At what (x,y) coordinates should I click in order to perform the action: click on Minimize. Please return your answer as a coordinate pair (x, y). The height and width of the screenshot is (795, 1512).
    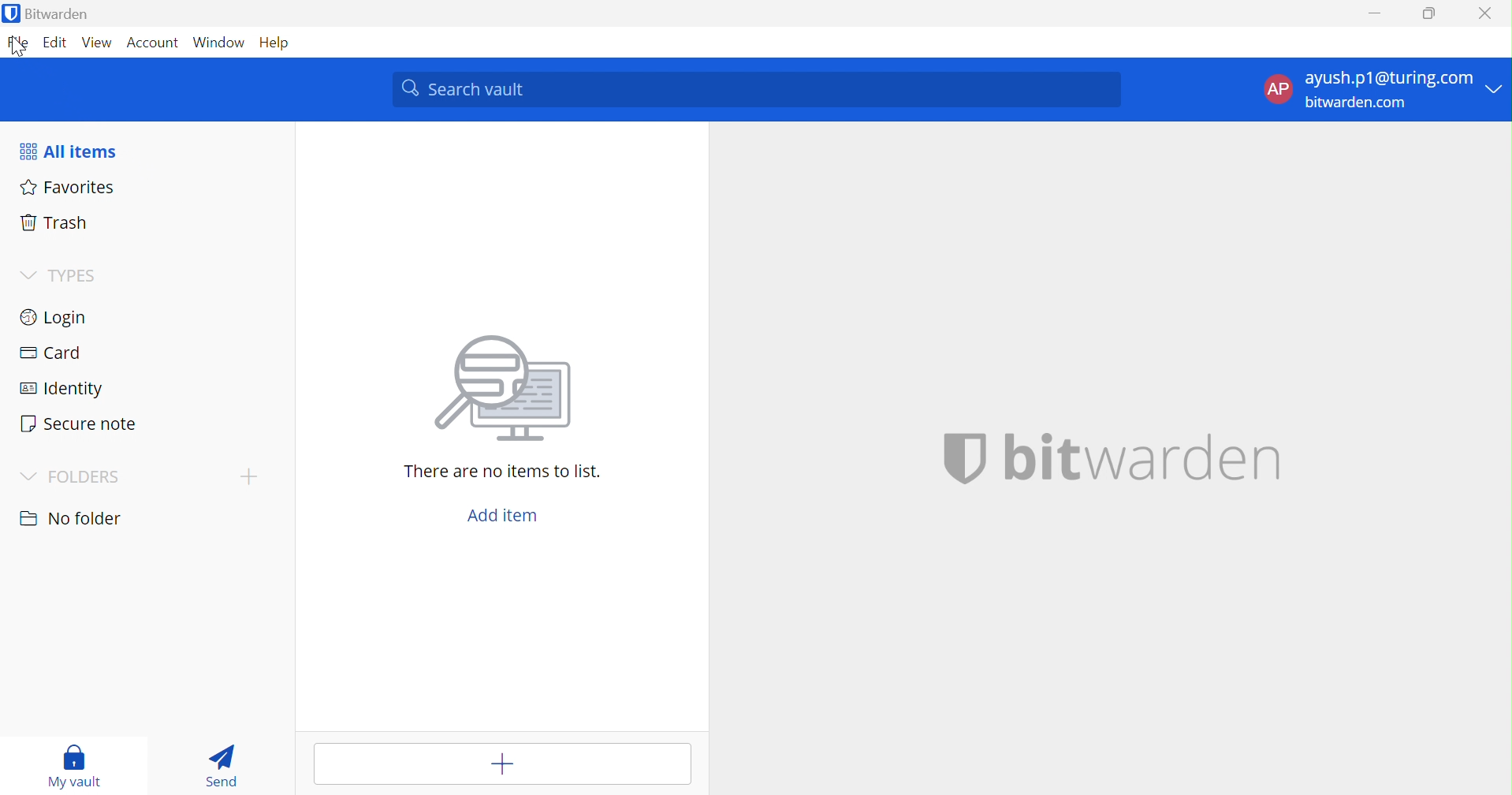
    Looking at the image, I should click on (1372, 17).